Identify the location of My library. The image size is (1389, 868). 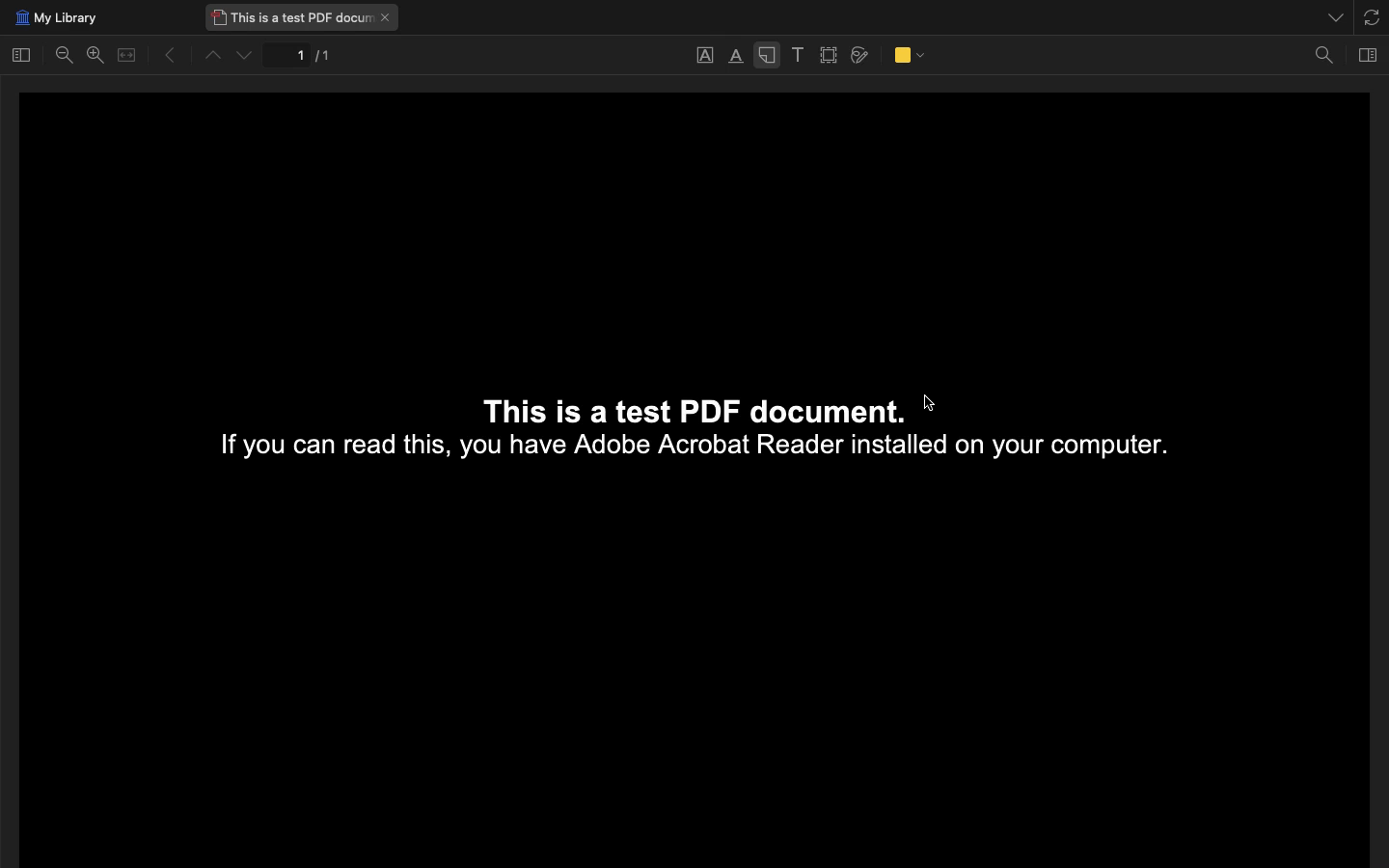
(54, 18).